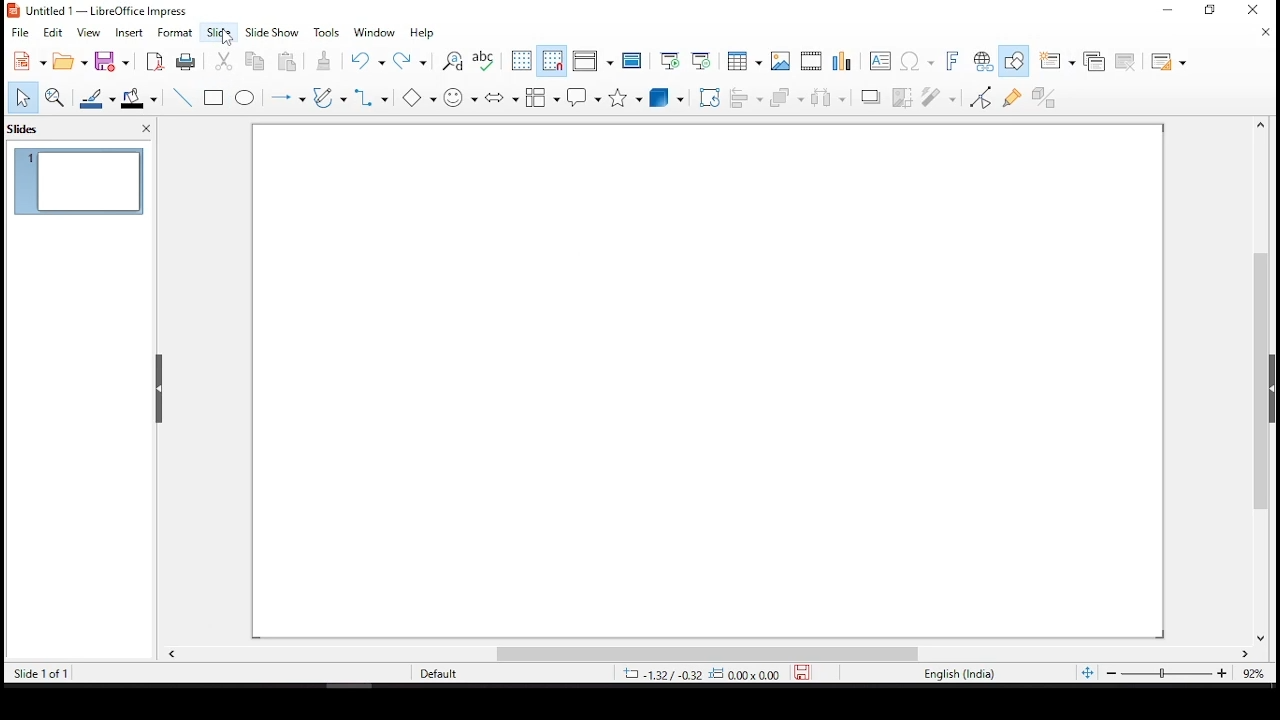  I want to click on close window, so click(1258, 11).